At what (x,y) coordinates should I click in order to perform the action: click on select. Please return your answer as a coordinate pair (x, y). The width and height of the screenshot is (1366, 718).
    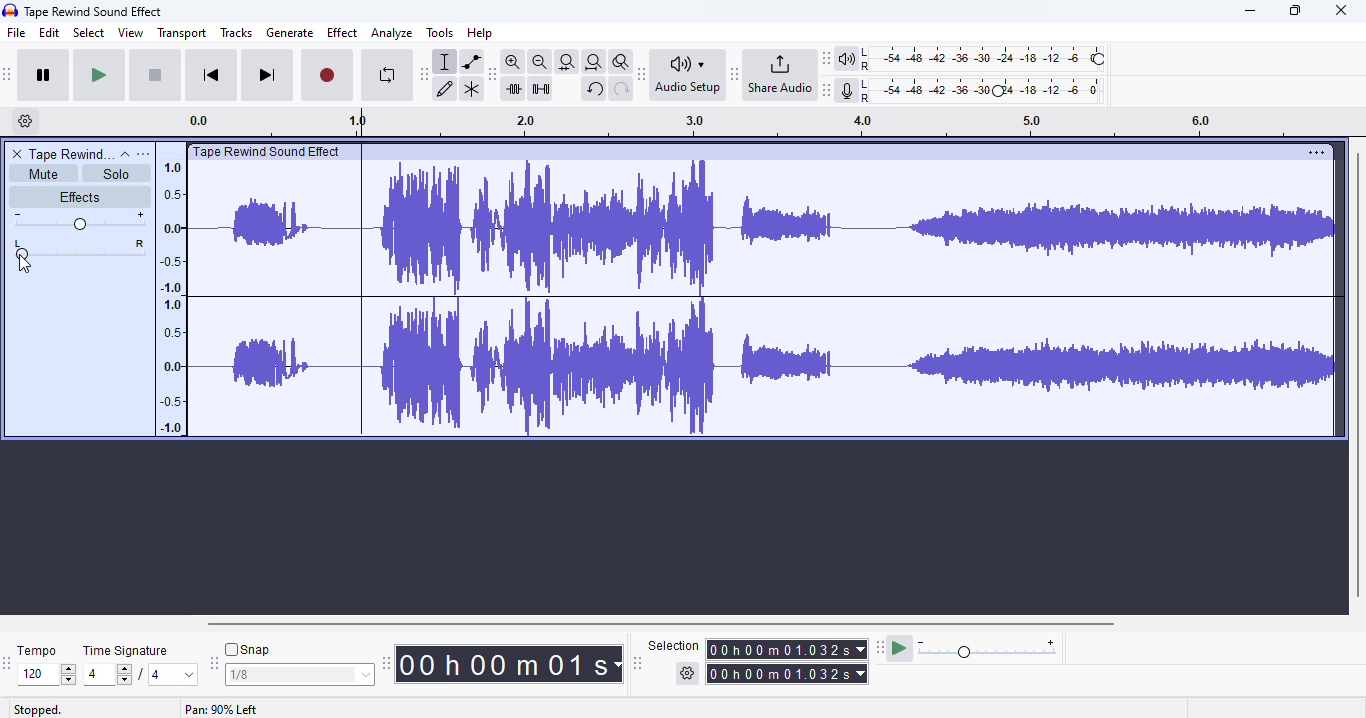
    Looking at the image, I should click on (90, 32).